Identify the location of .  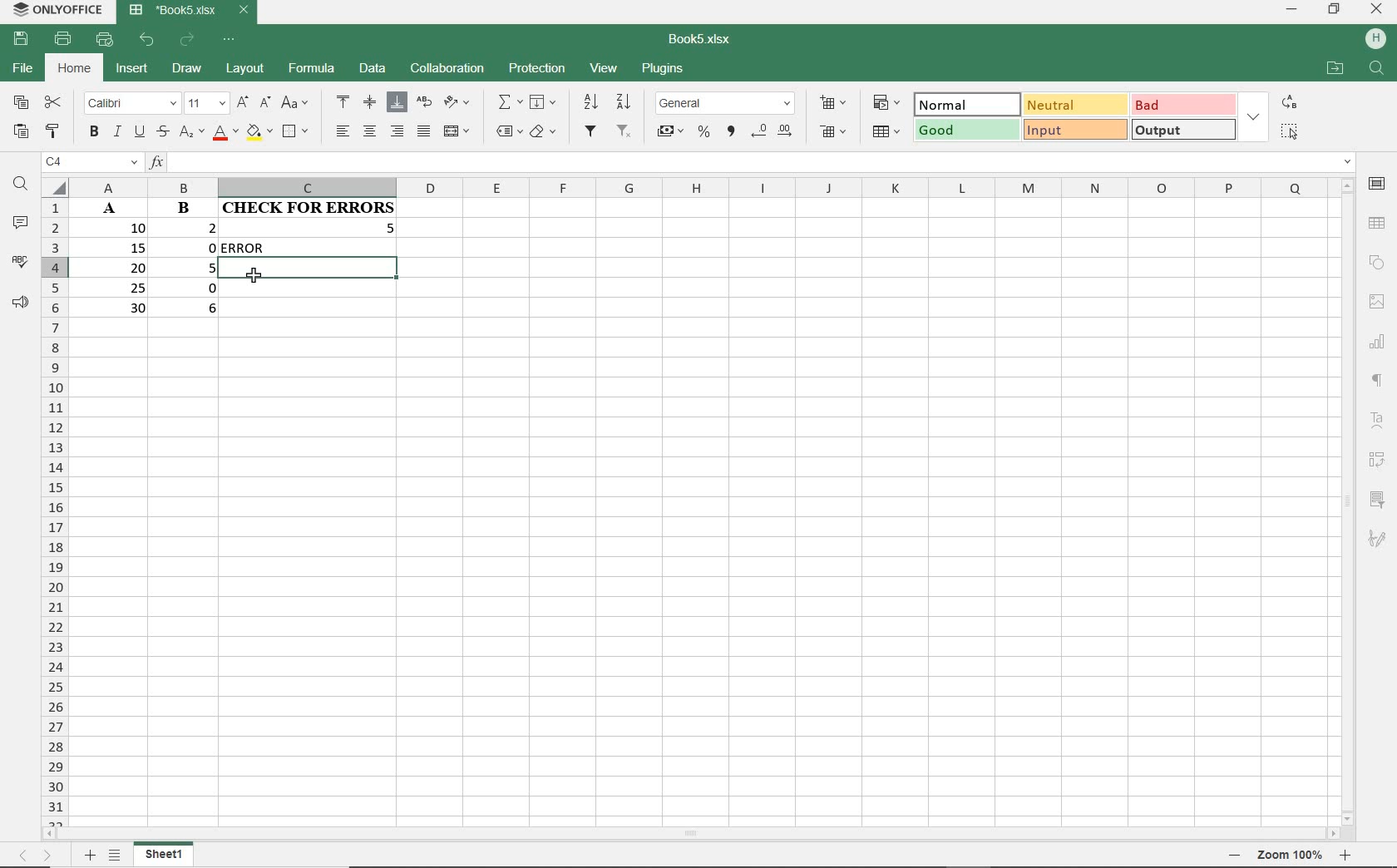
(1380, 381).